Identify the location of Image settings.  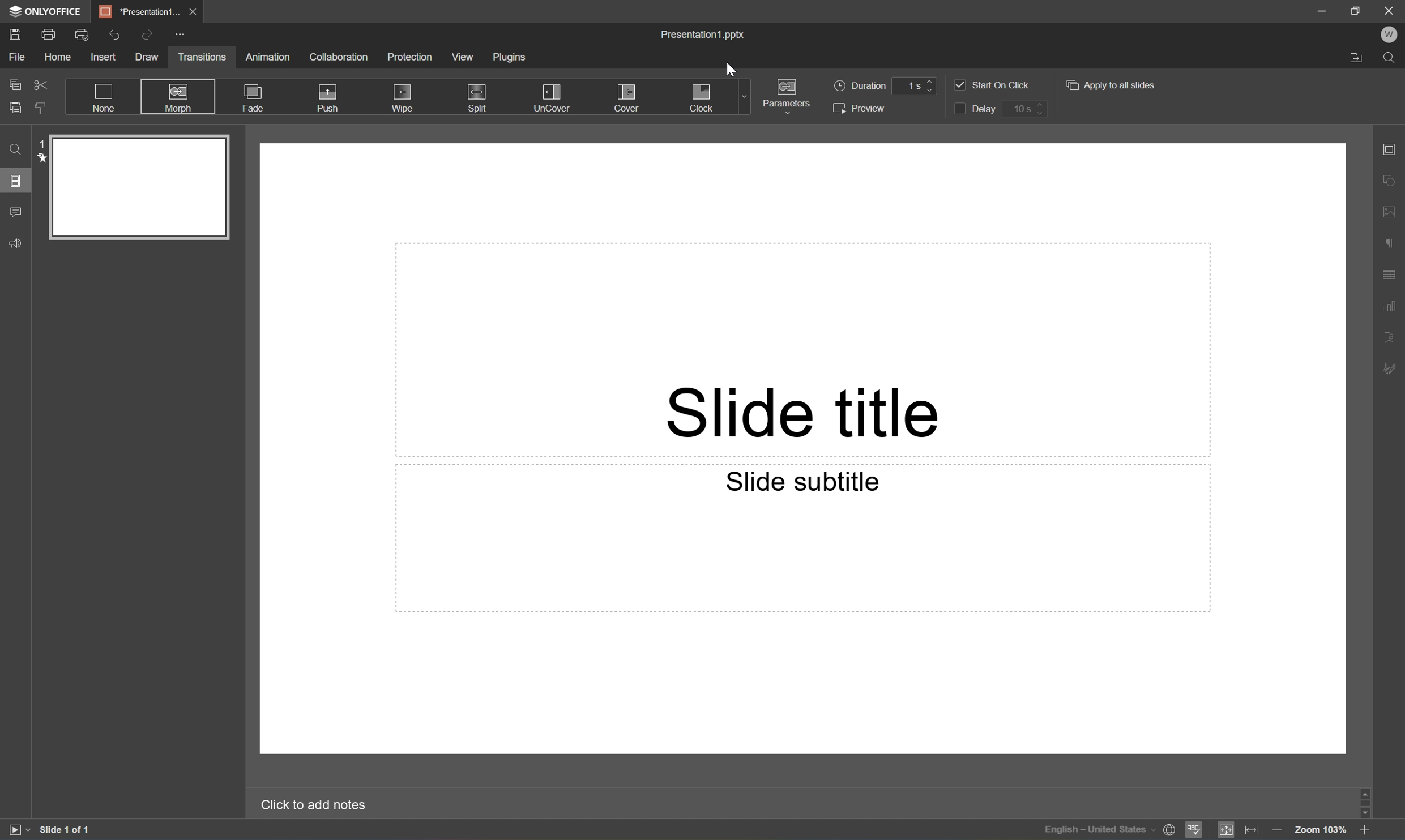
(1390, 209).